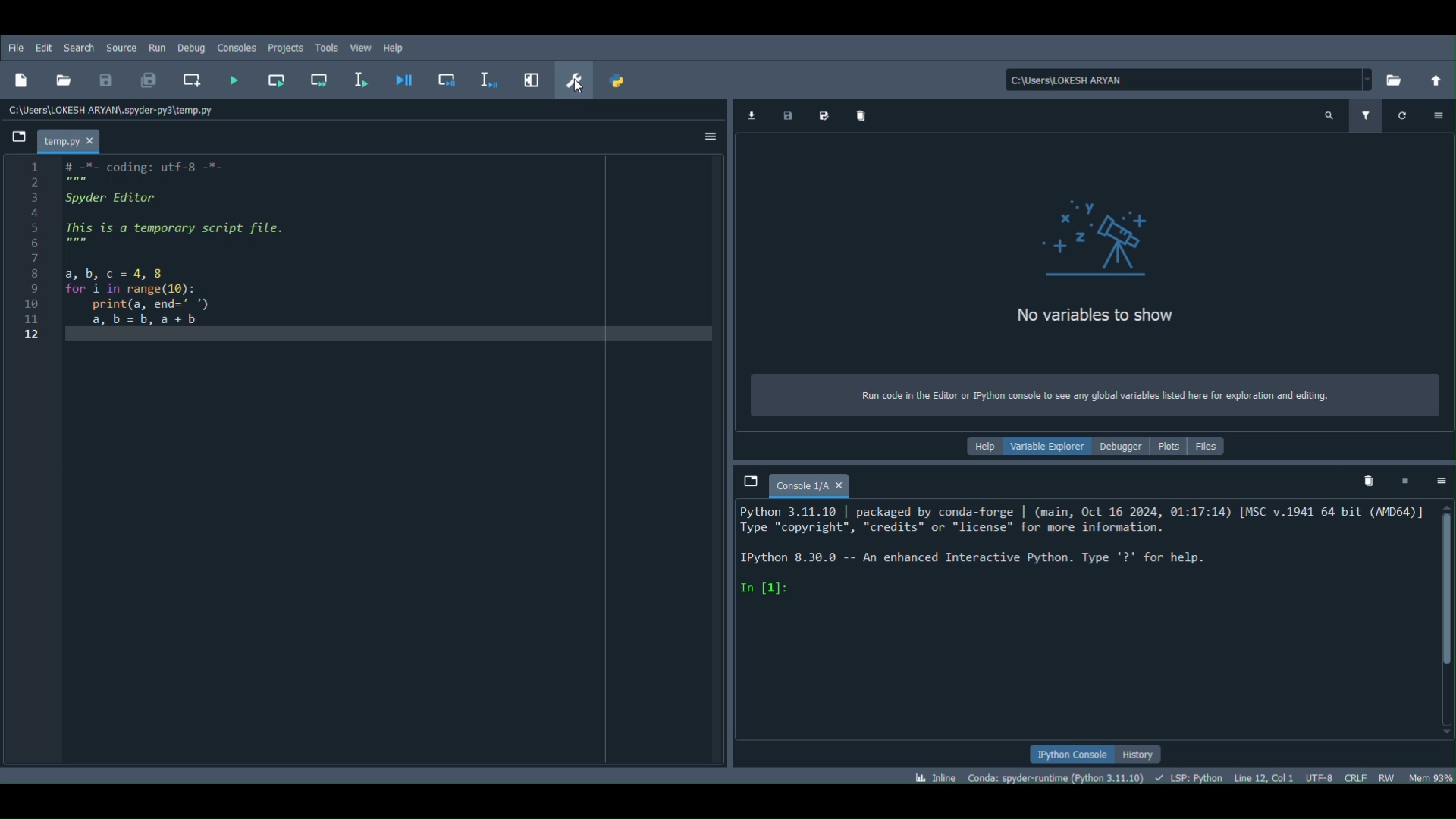 Image resolution: width=1456 pixels, height=819 pixels. What do you see at coordinates (1059, 779) in the screenshot?
I see `Version` at bounding box center [1059, 779].